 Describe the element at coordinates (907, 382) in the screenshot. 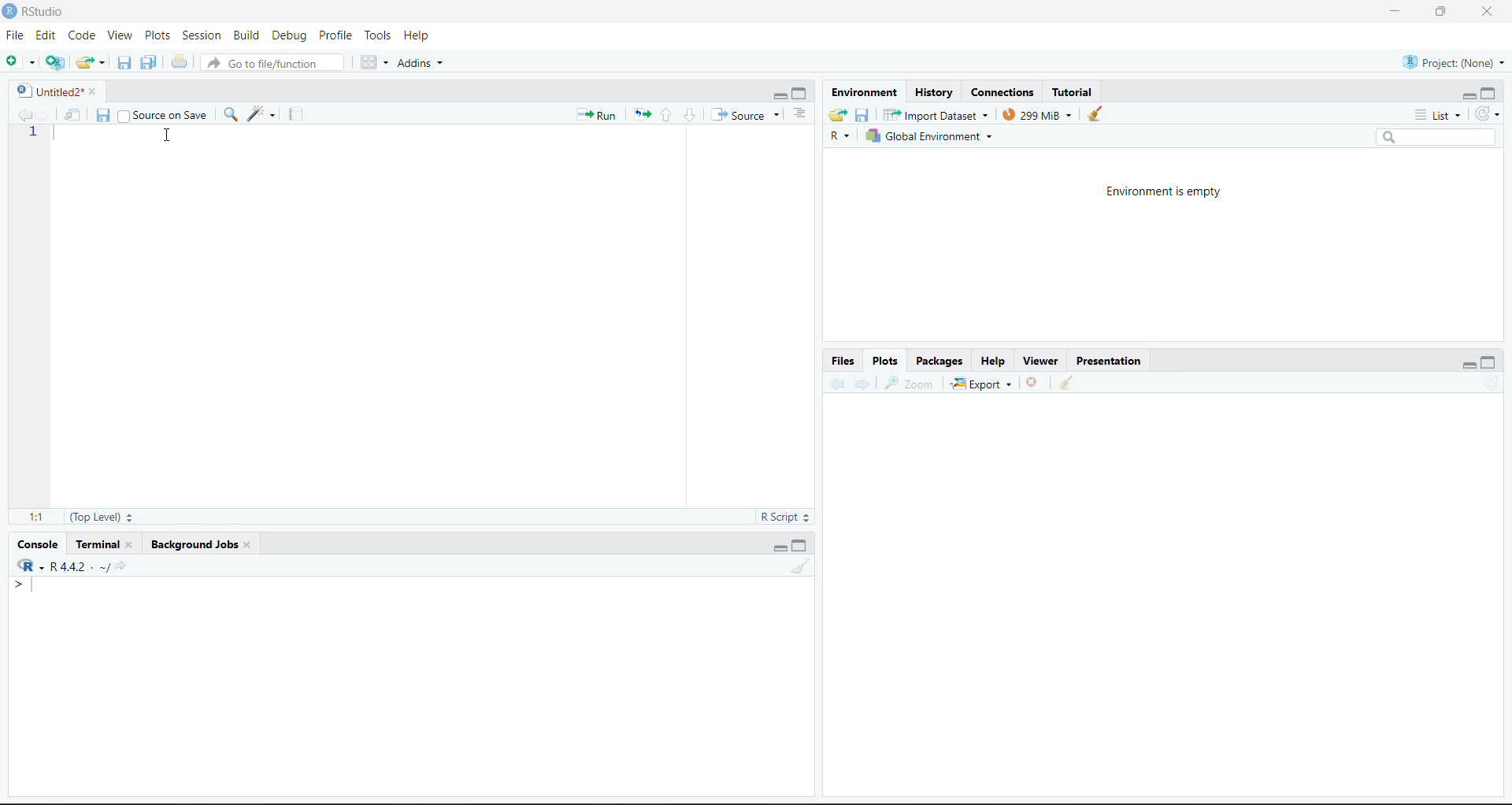

I see `zoom` at that location.